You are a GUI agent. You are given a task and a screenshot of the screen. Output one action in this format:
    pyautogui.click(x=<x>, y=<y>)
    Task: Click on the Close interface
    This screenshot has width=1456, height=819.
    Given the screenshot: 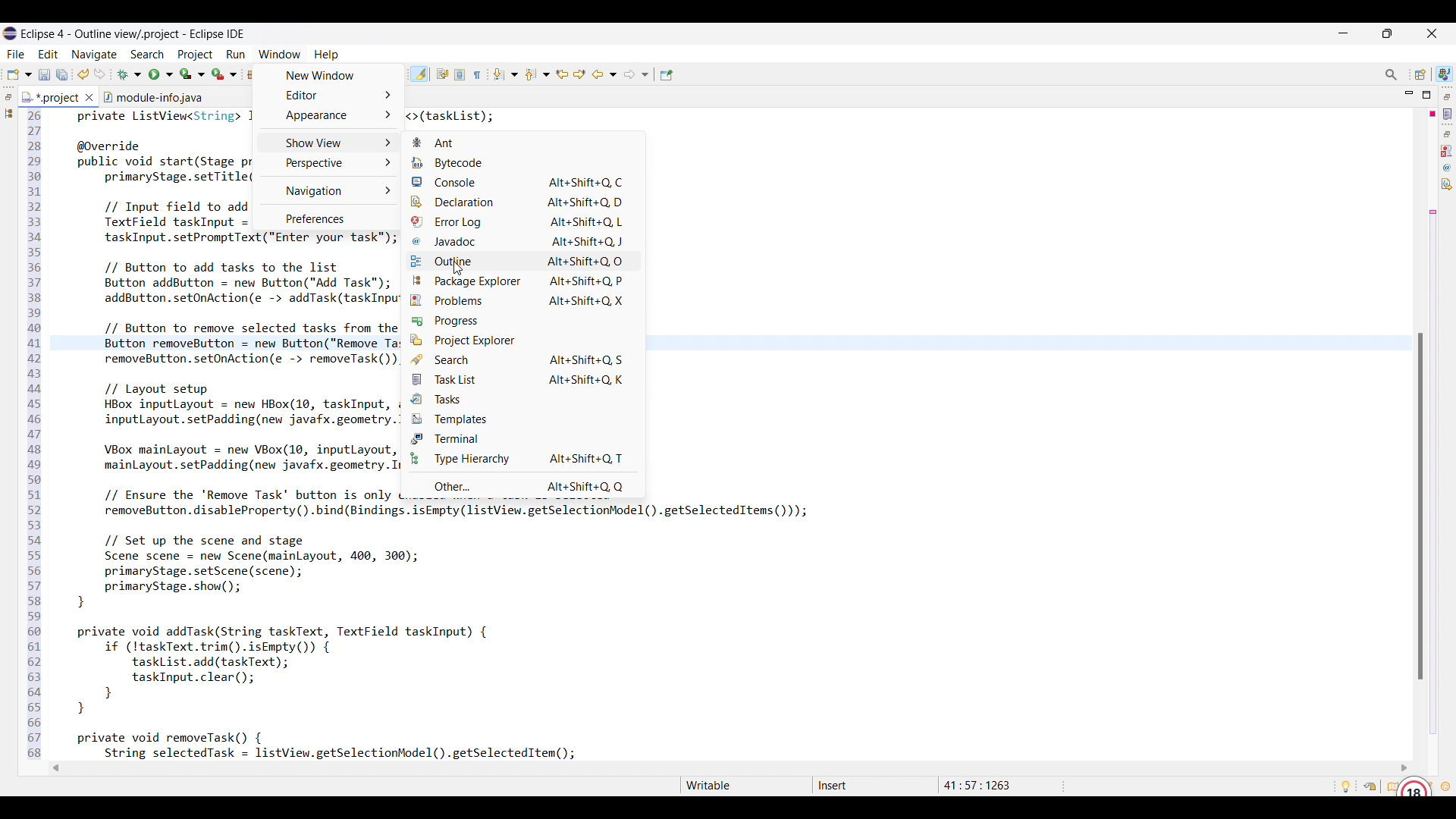 What is the action you would take?
    pyautogui.click(x=1432, y=33)
    